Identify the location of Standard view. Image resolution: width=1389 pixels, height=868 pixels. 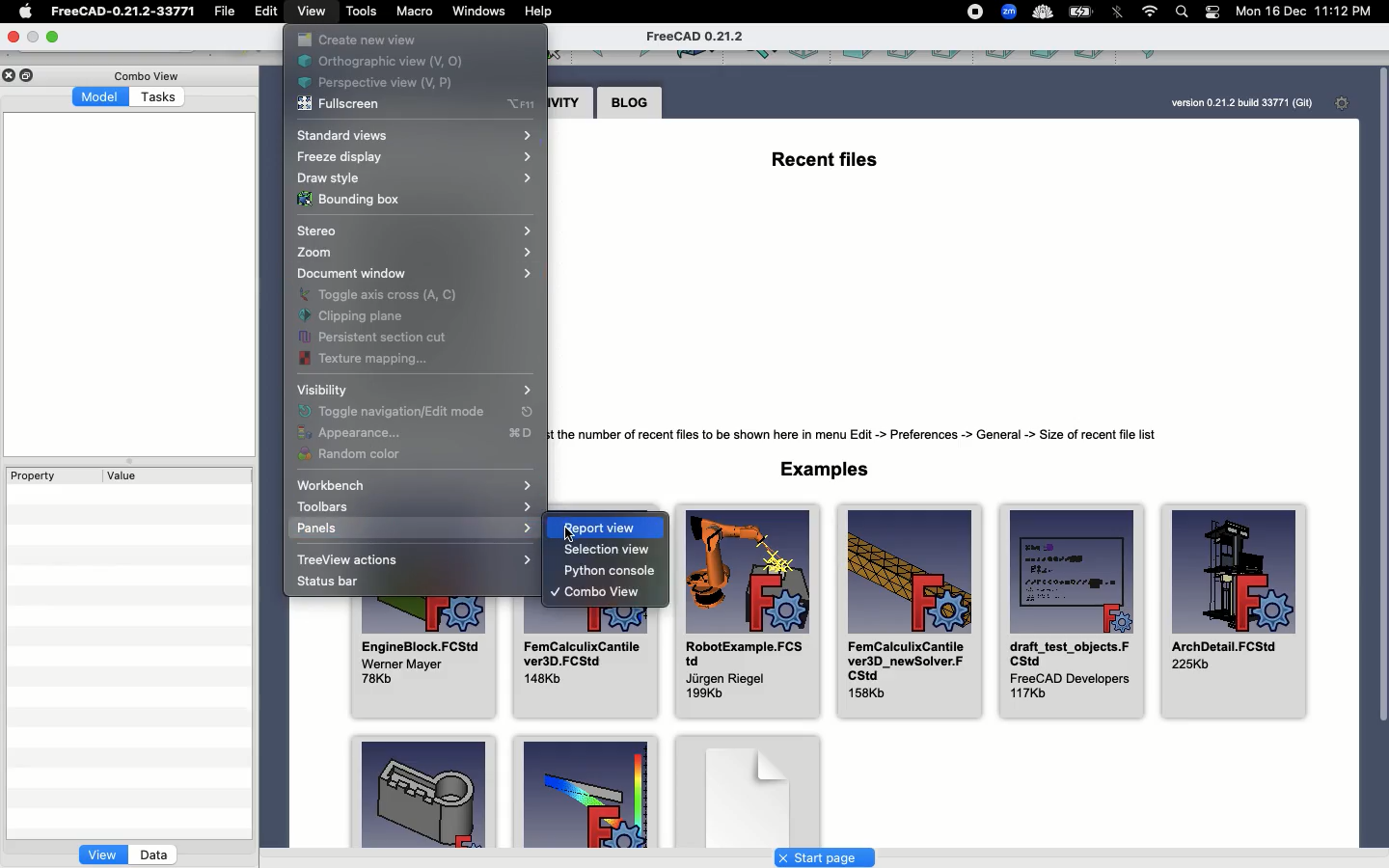
(422, 135).